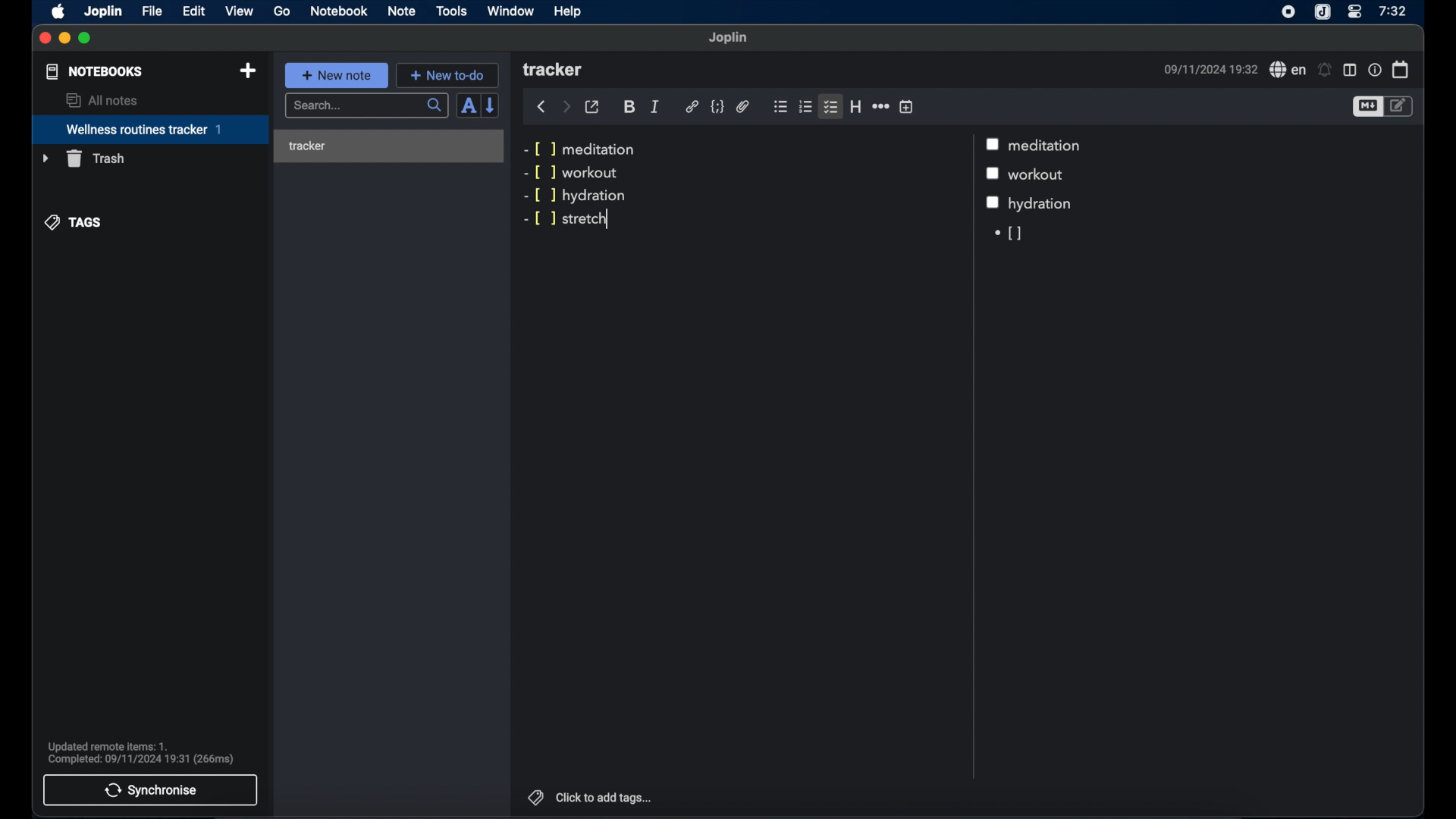 This screenshot has height=819, width=1456. I want to click on checkbox, so click(994, 143).